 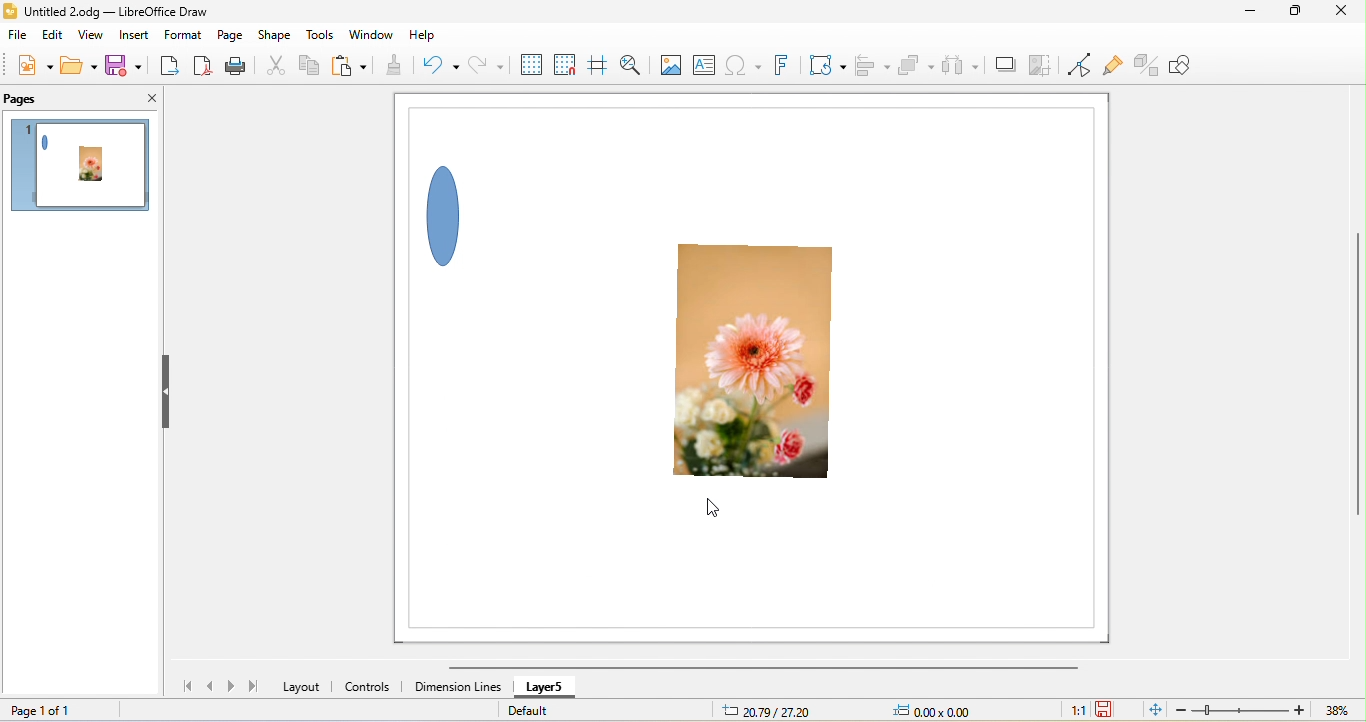 I want to click on page 1, so click(x=84, y=169).